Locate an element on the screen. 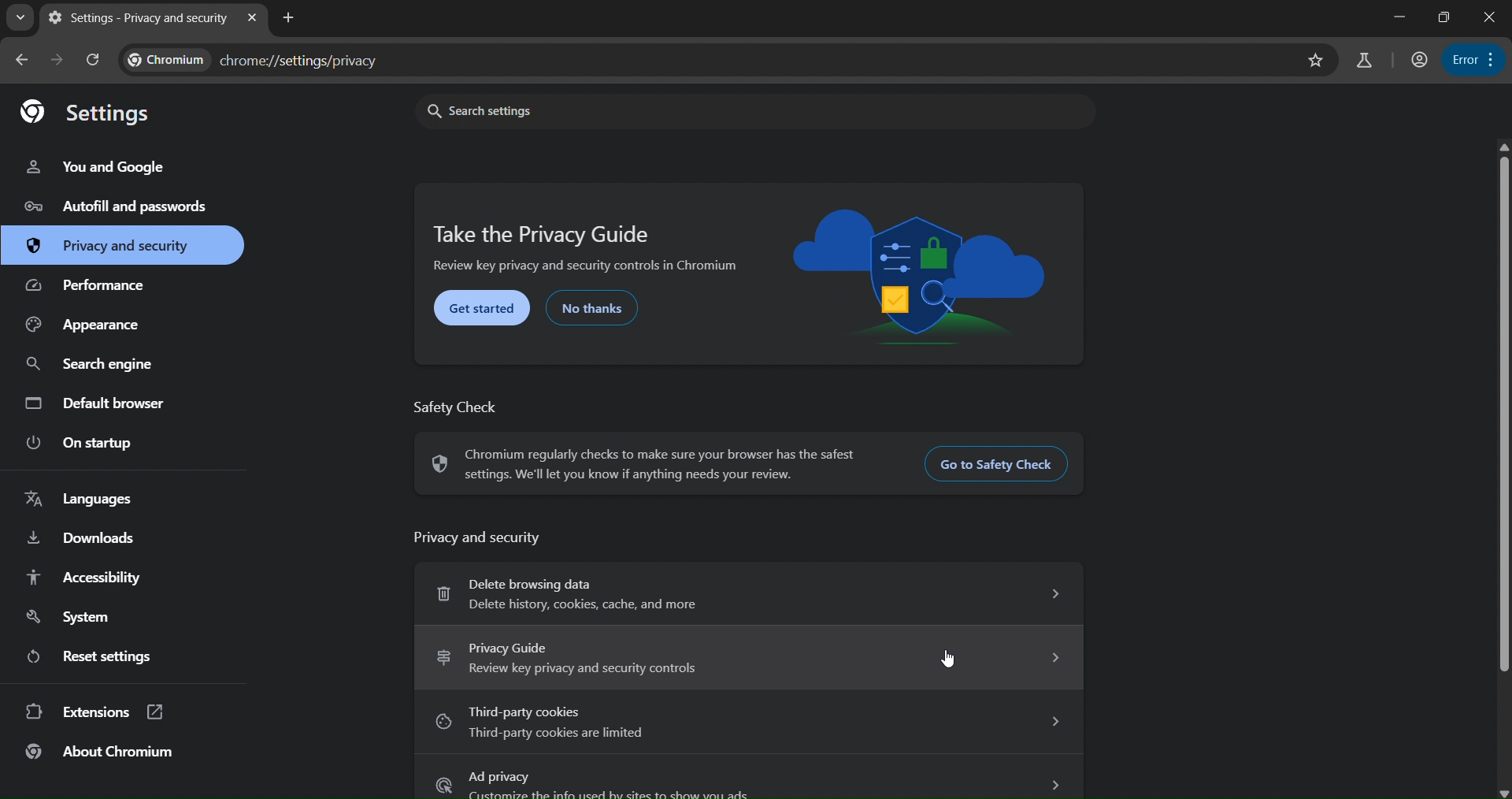  ppearance is located at coordinates (87, 325).